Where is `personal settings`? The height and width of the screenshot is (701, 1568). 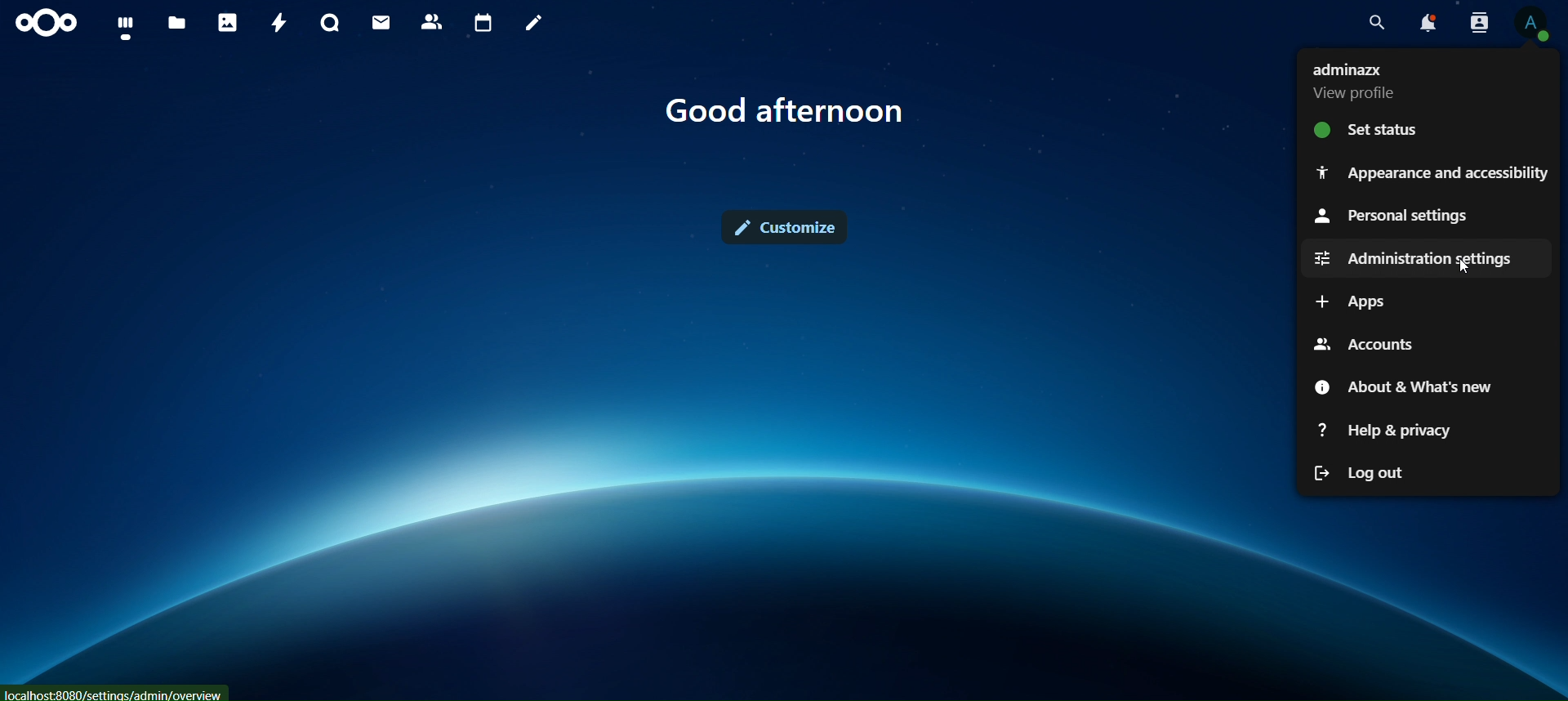 personal settings is located at coordinates (1400, 215).